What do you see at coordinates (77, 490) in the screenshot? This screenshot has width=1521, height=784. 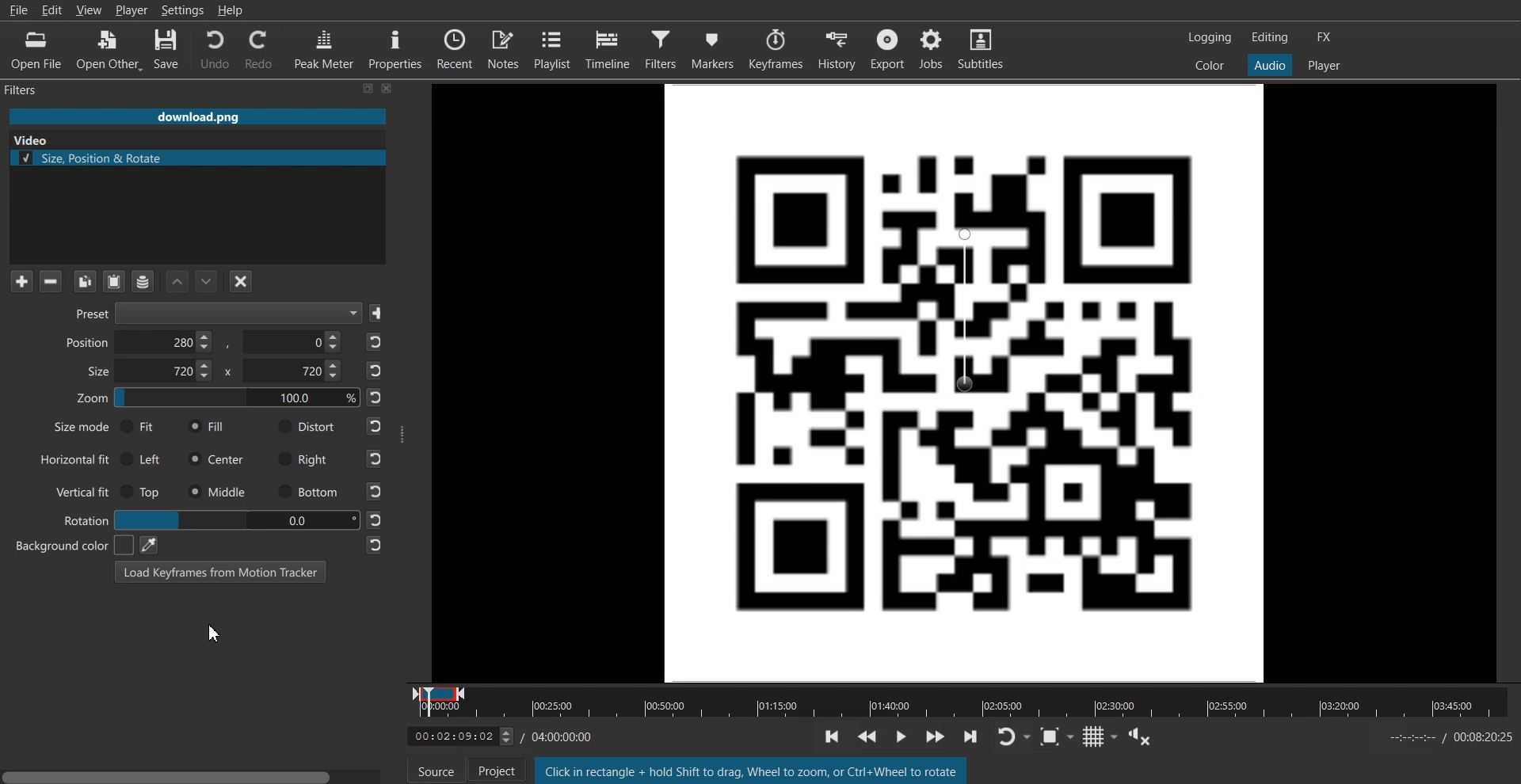 I see `Vertical fit` at bounding box center [77, 490].